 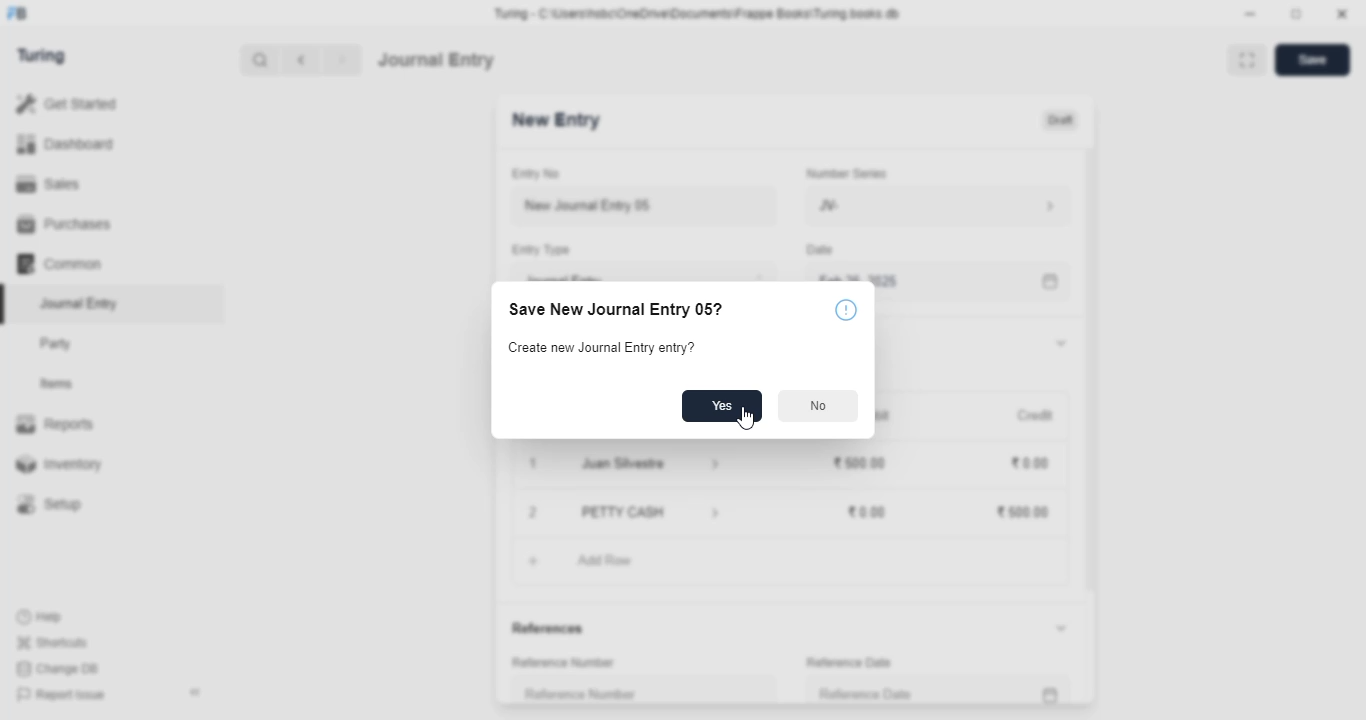 What do you see at coordinates (261, 60) in the screenshot?
I see `search` at bounding box center [261, 60].